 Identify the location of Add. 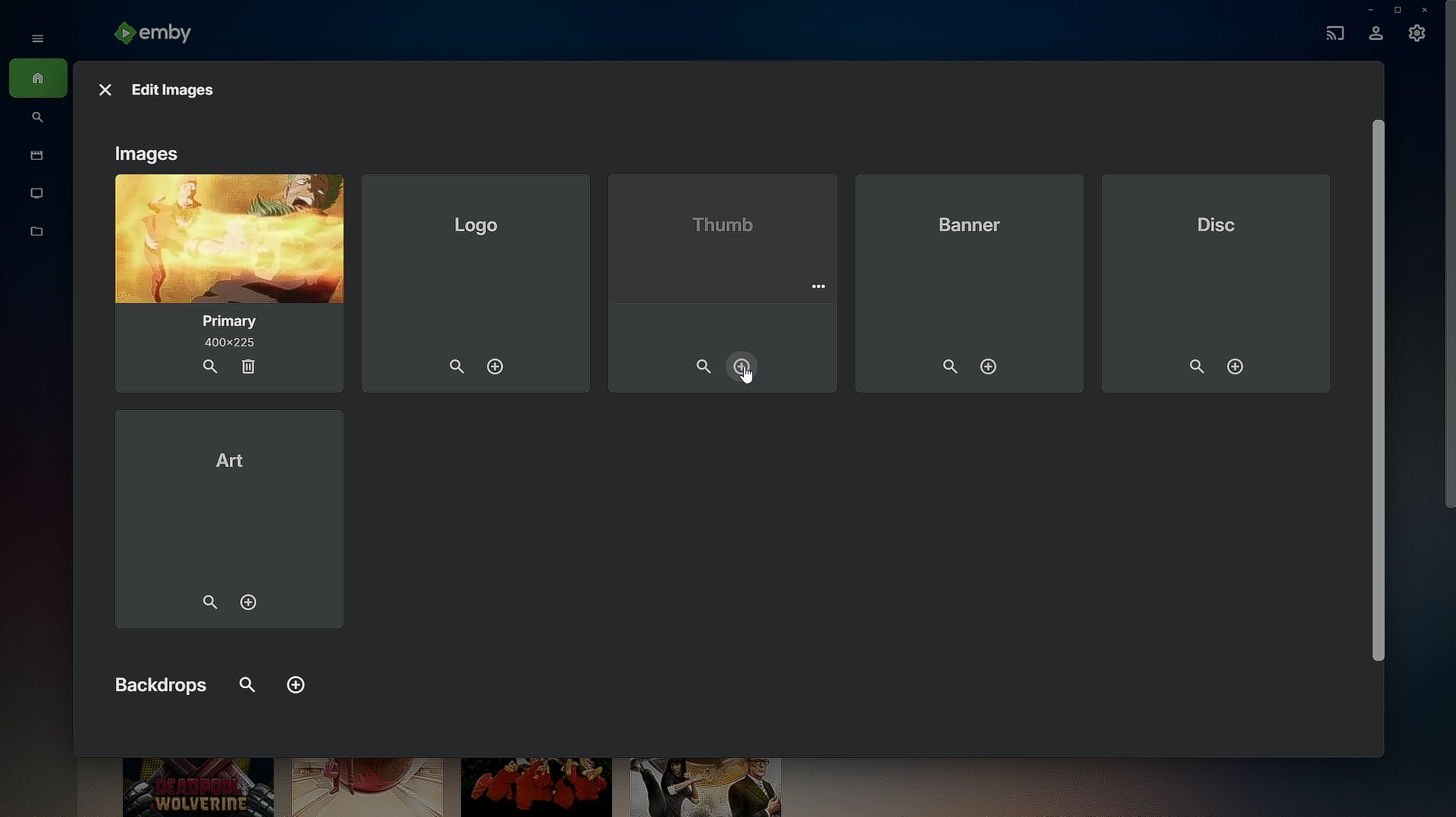
(296, 687).